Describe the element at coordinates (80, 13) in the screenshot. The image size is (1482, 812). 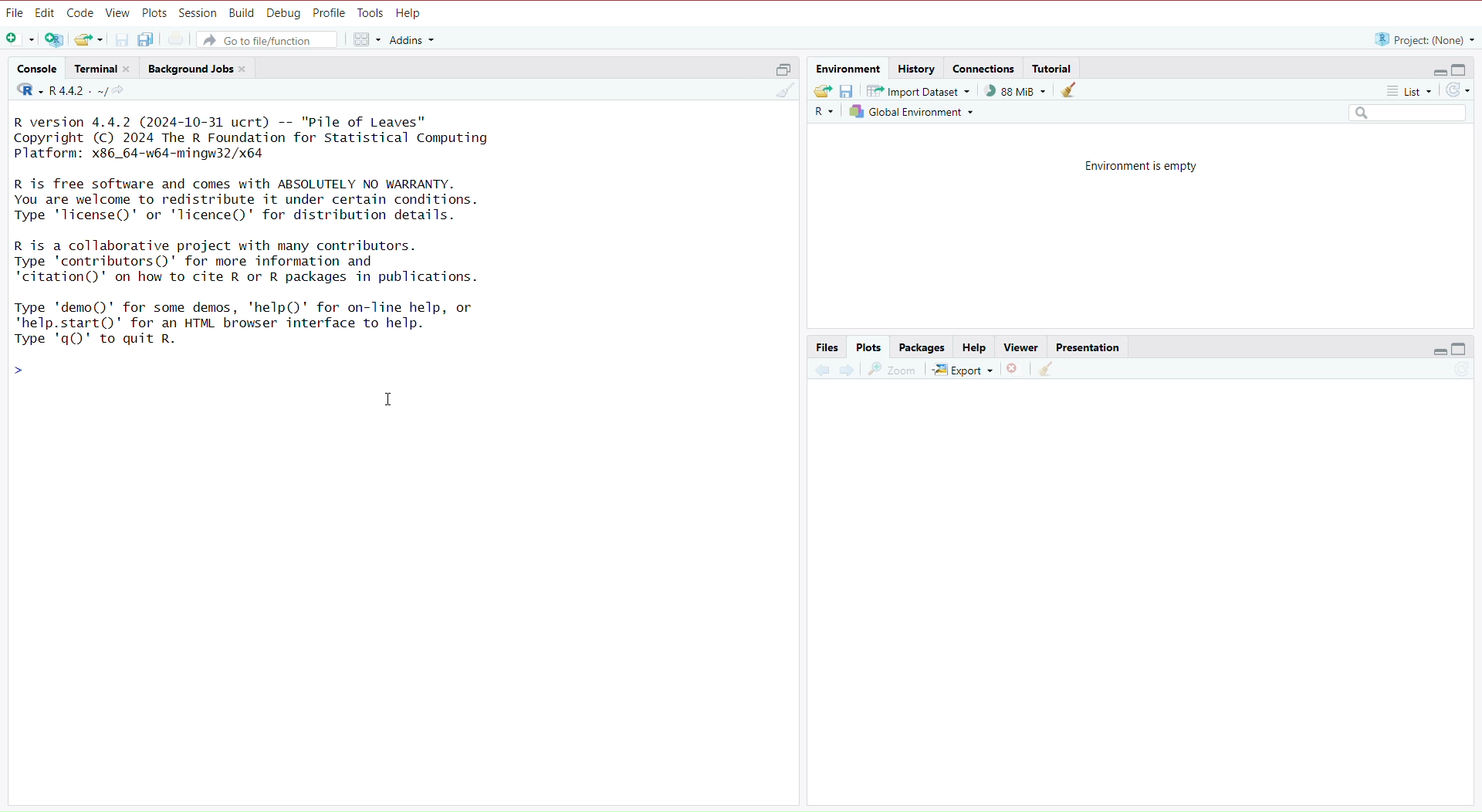
I see `code` at that location.